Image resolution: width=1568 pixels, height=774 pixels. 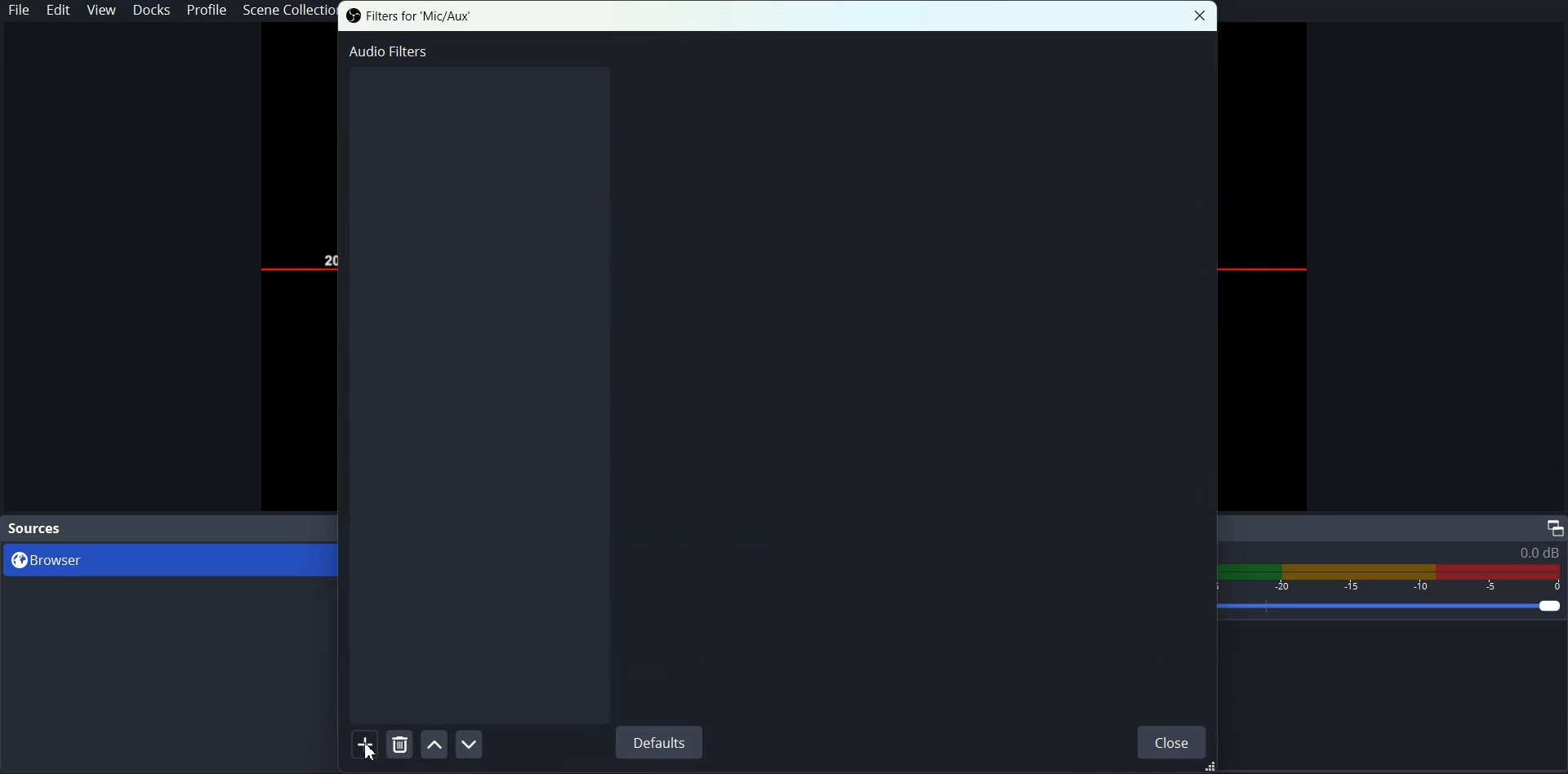 What do you see at coordinates (1554, 527) in the screenshot?
I see `Maximize` at bounding box center [1554, 527].